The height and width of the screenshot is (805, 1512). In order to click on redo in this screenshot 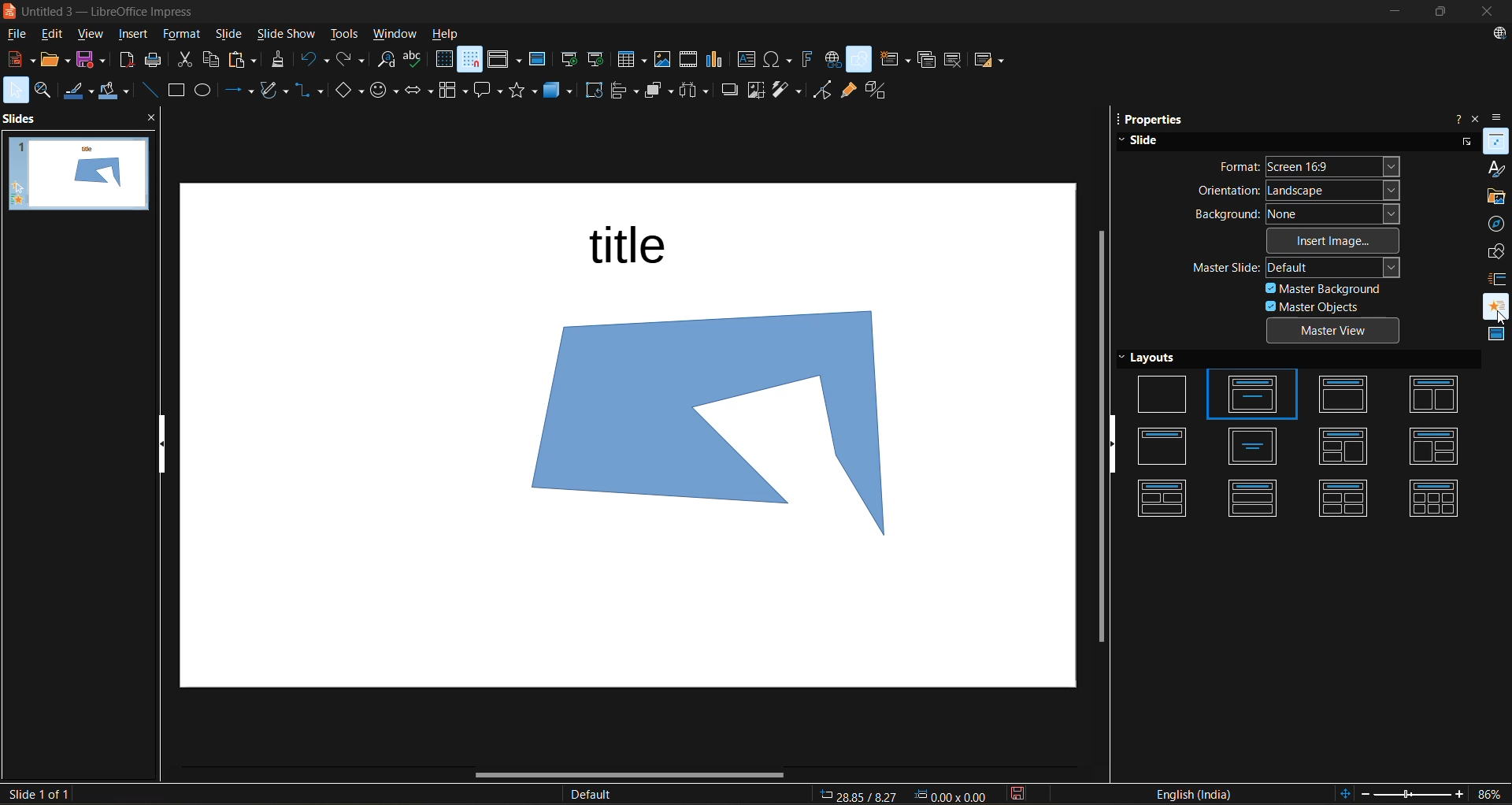, I will do `click(352, 60)`.